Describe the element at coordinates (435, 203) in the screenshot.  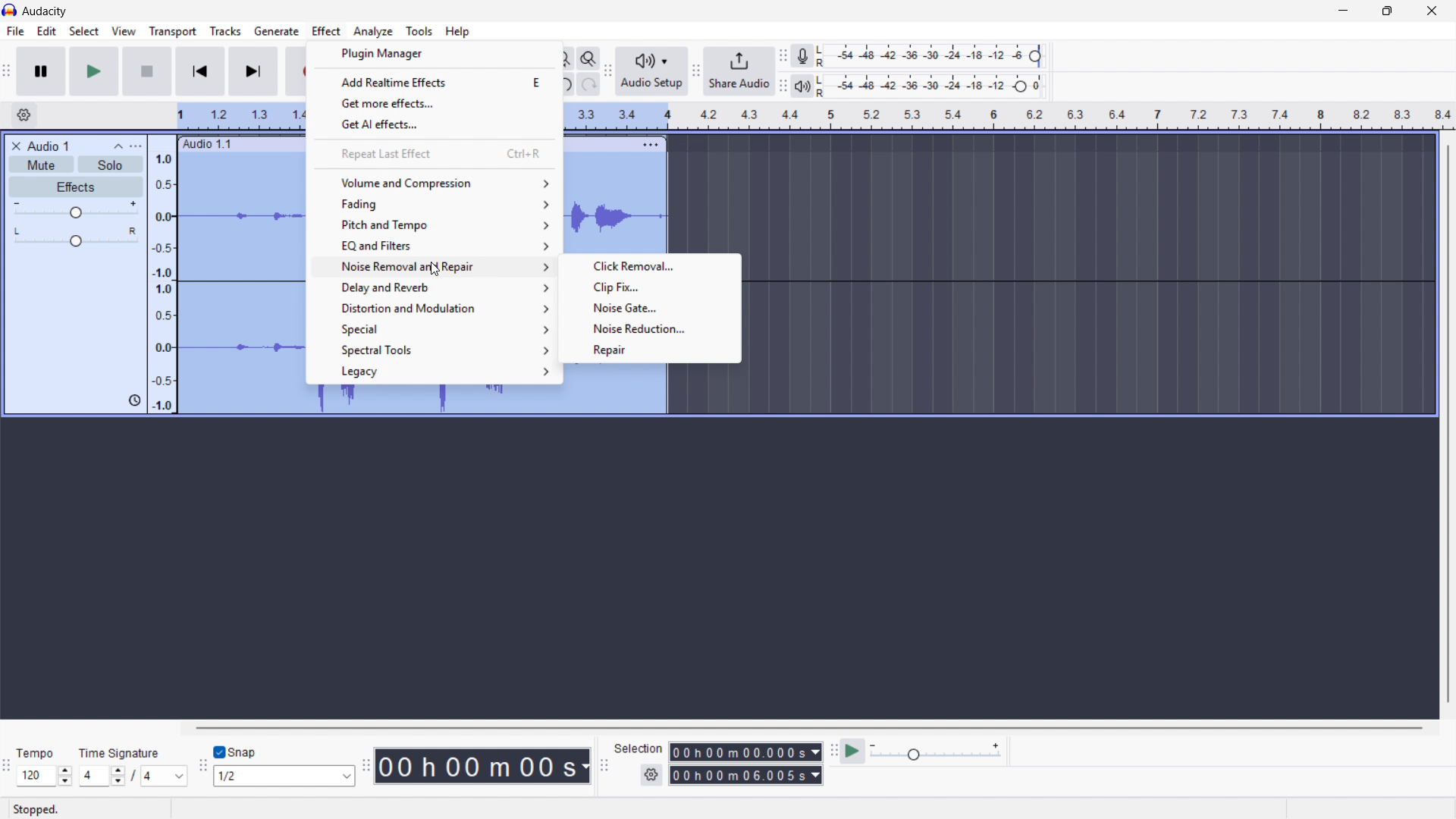
I see `Fading ` at that location.